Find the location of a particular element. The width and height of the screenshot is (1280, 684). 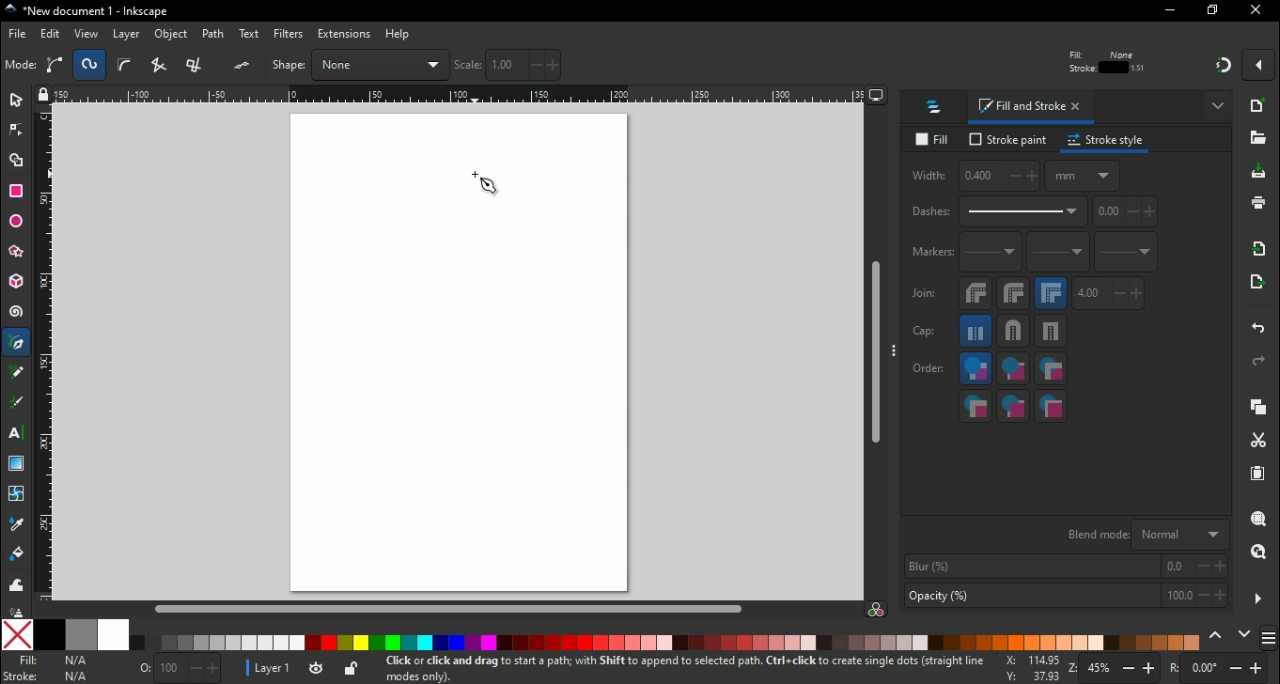

none is located at coordinates (16, 636).